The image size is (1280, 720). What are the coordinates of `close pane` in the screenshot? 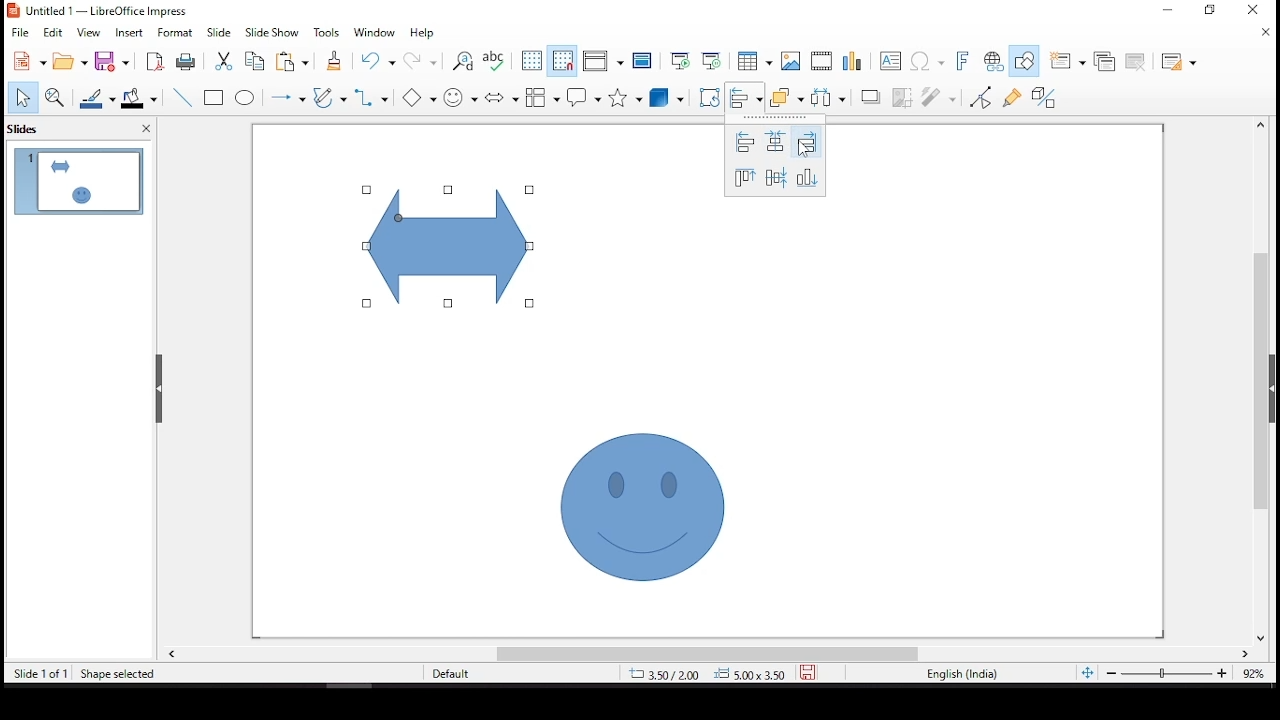 It's located at (148, 128).